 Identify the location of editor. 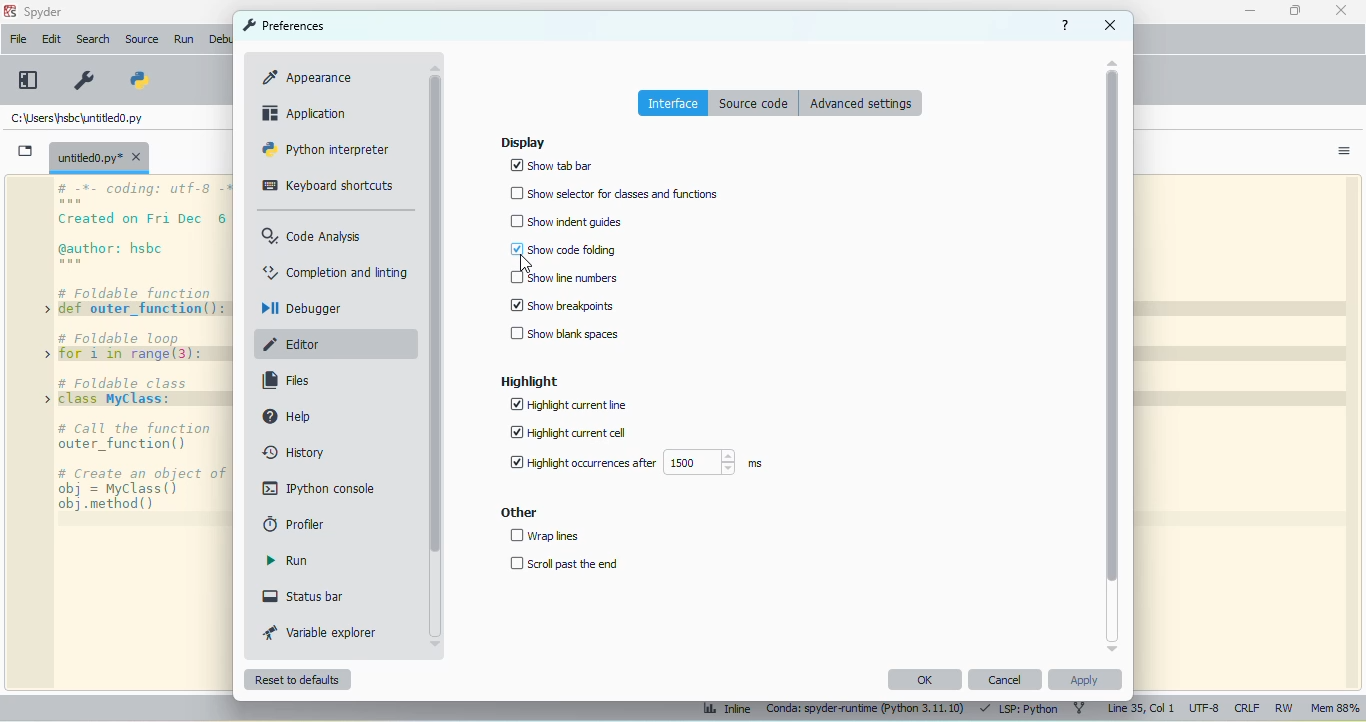
(294, 344).